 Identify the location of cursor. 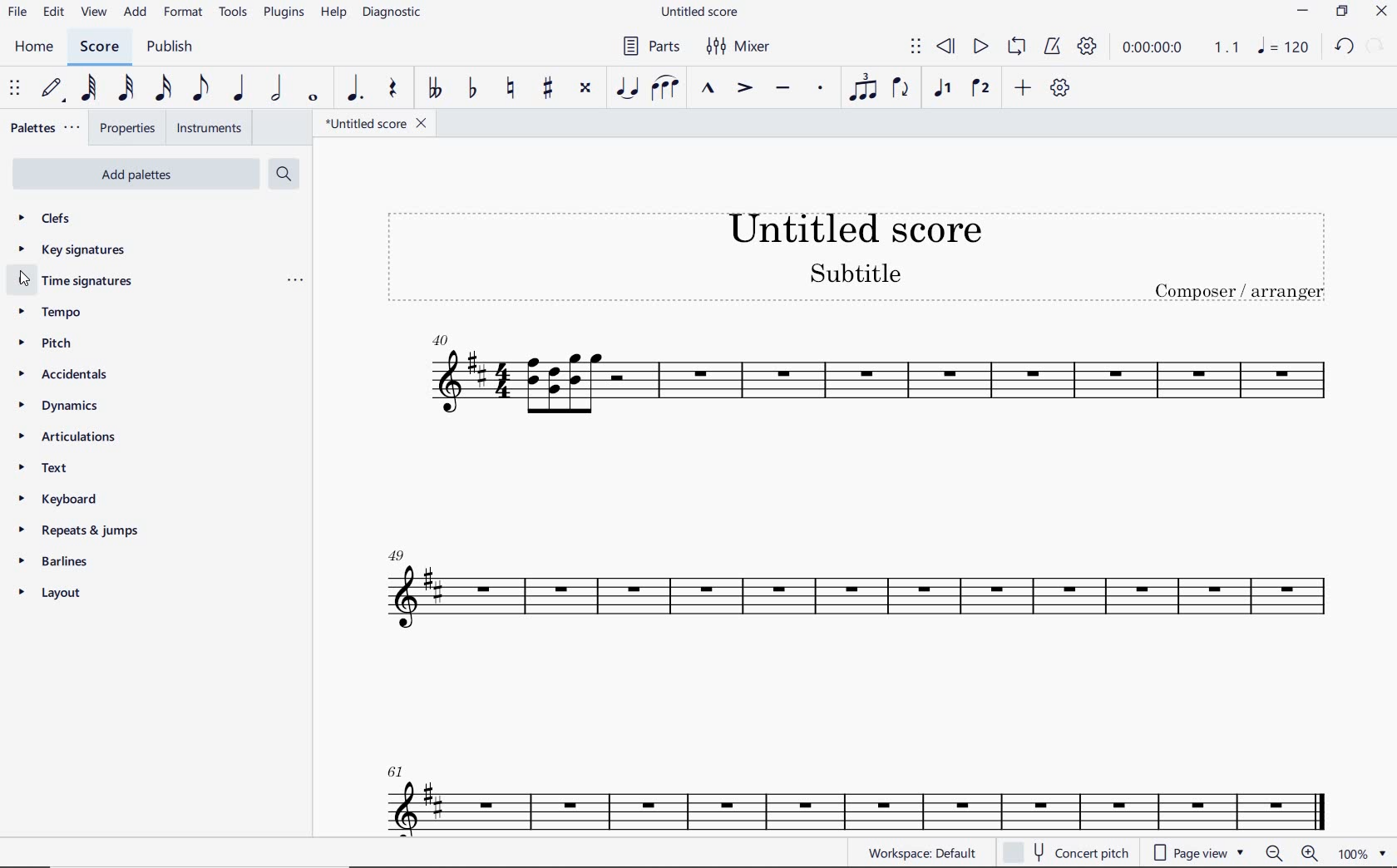
(28, 280).